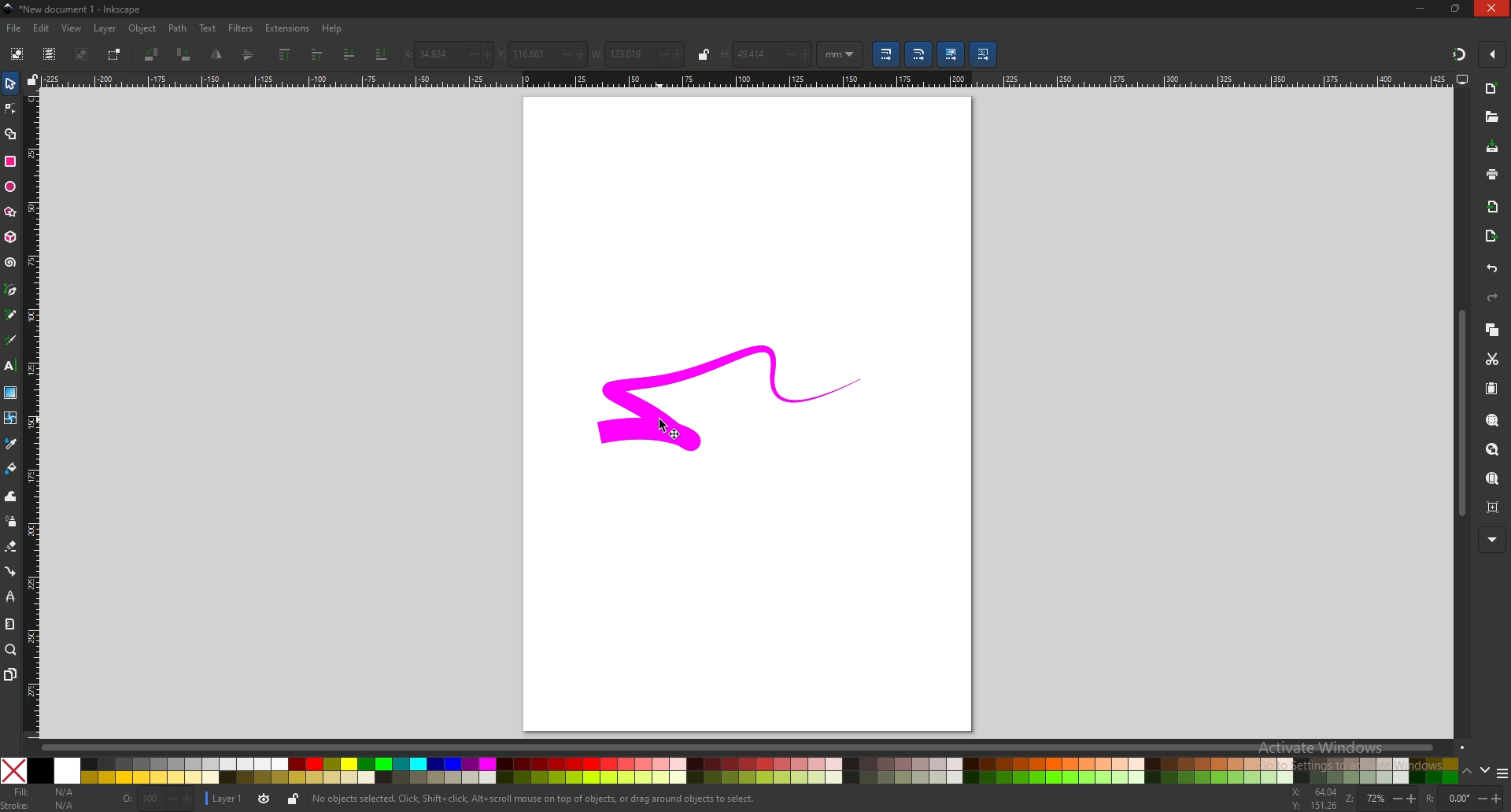  What do you see at coordinates (983, 54) in the screenshot?
I see `move patterns` at bounding box center [983, 54].